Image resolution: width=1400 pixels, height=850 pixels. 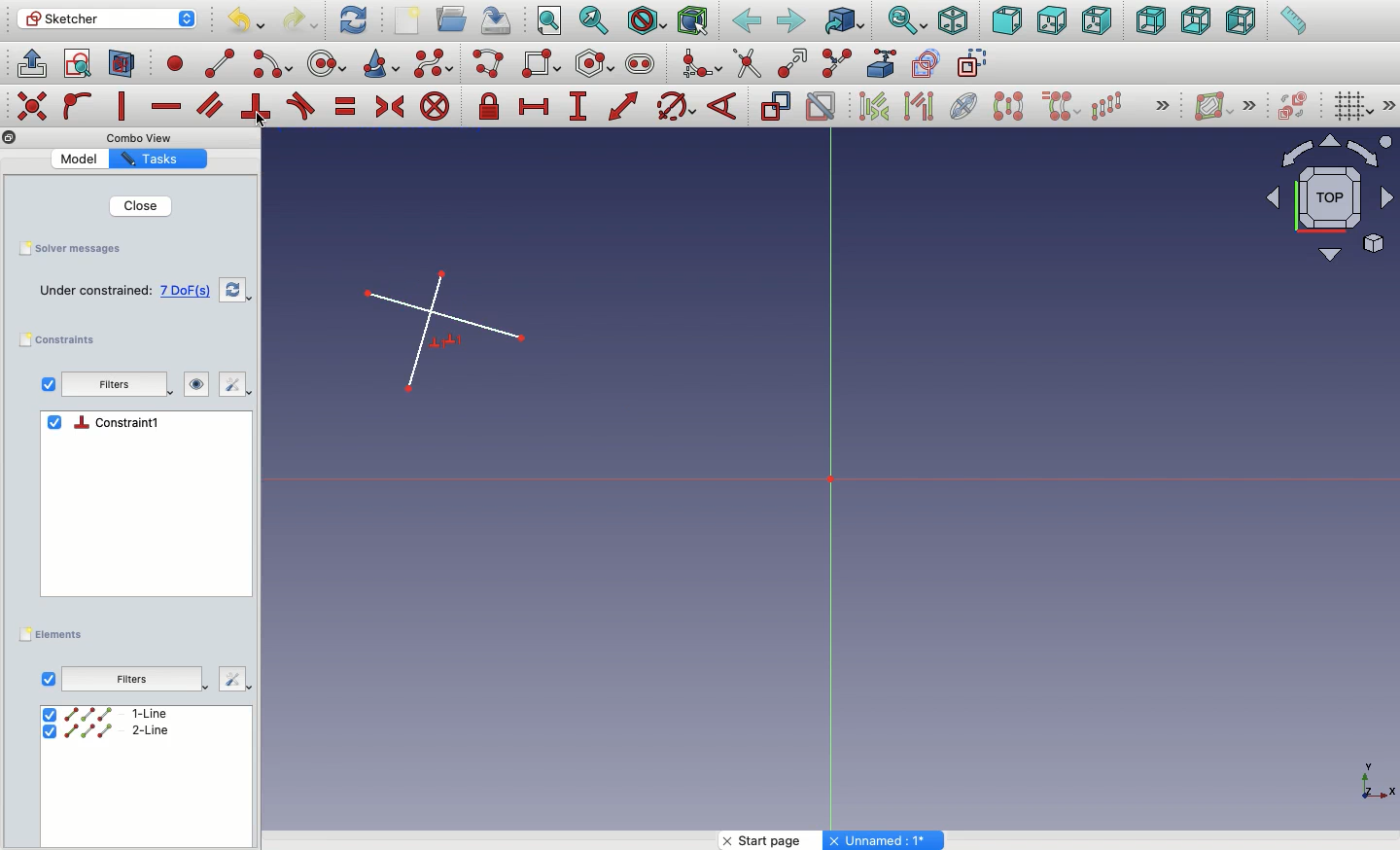 I want to click on Elements , so click(x=55, y=633).